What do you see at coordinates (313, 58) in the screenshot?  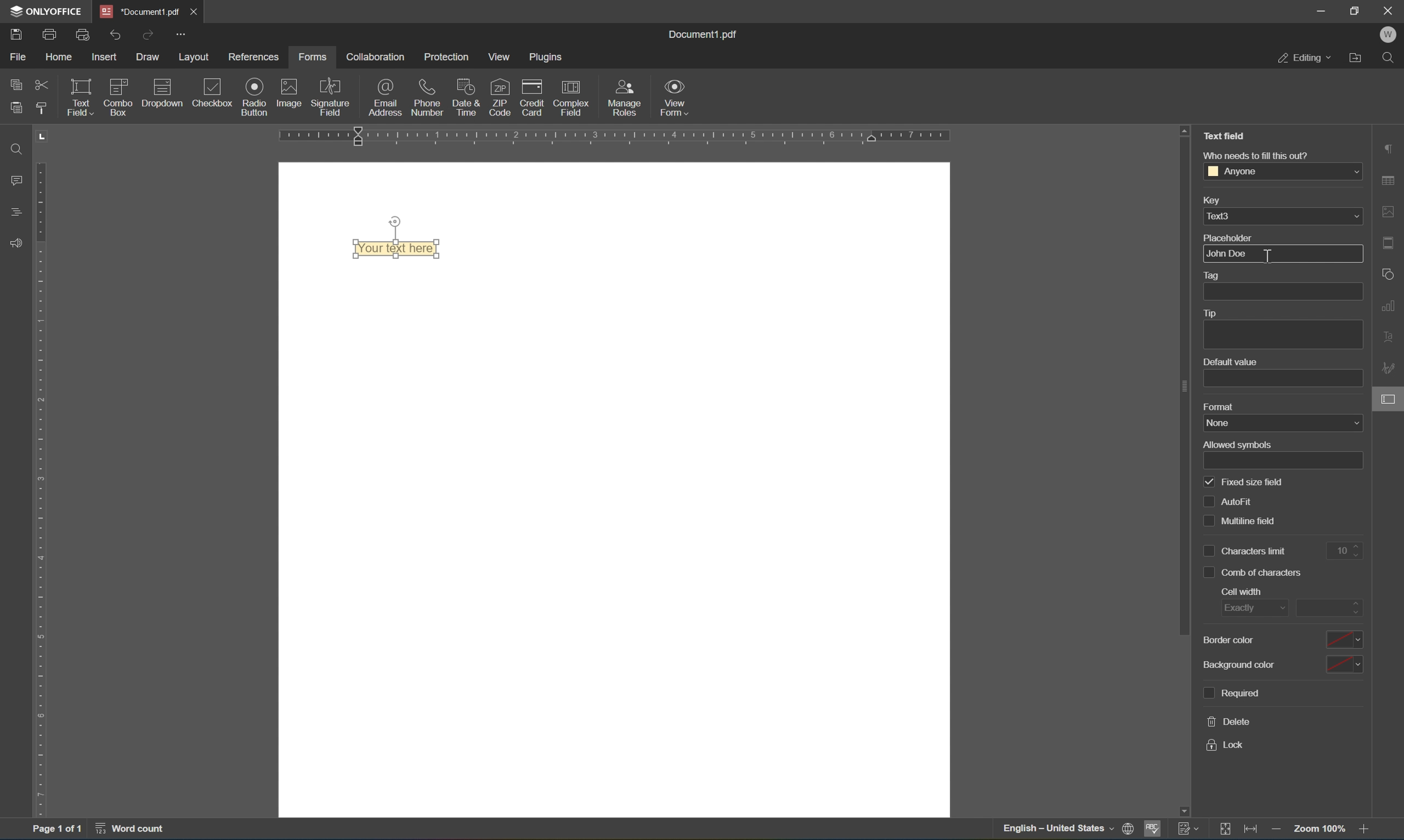 I see `forms` at bounding box center [313, 58].